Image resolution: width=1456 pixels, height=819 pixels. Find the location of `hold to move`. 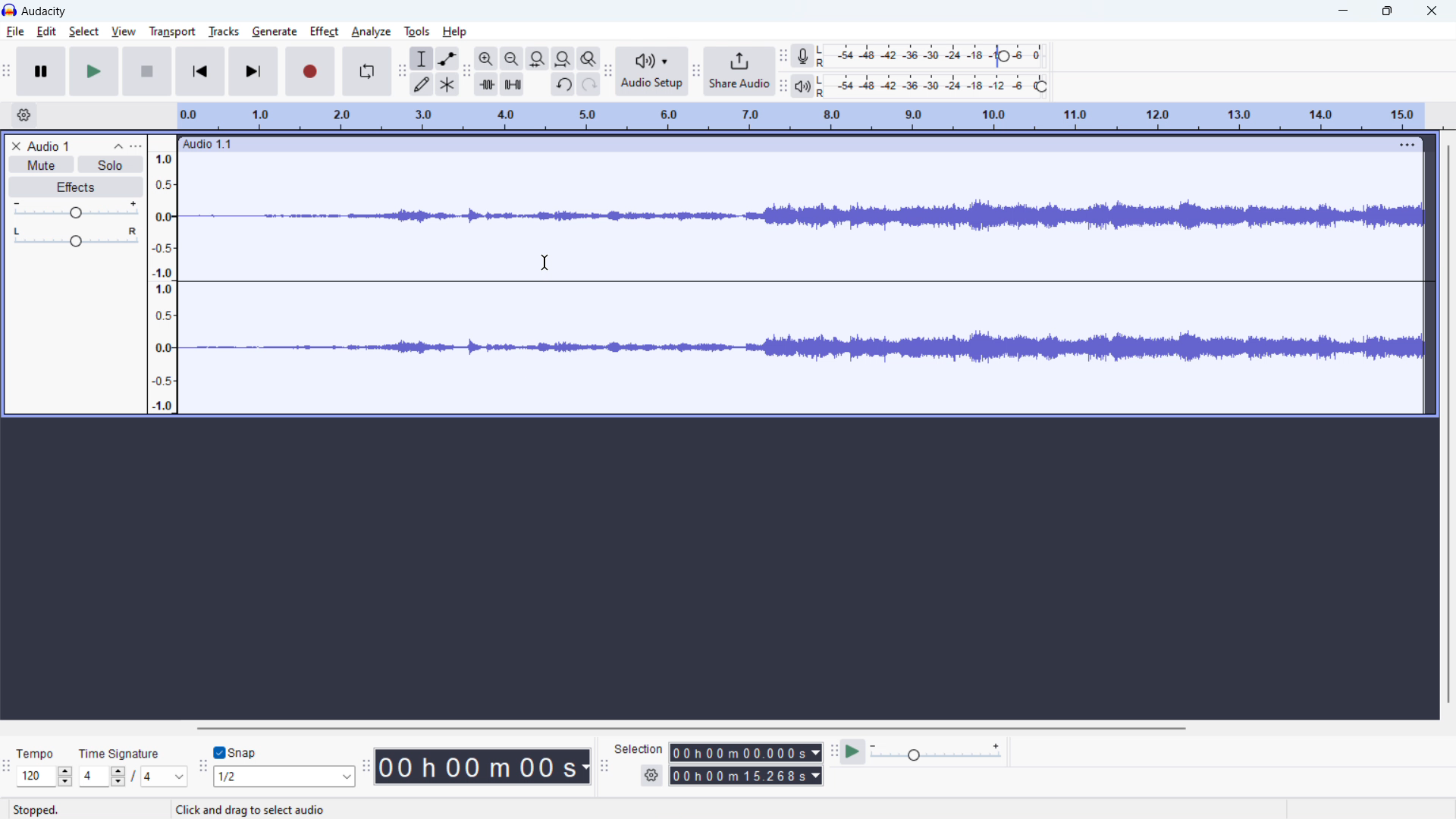

hold to move is located at coordinates (784, 143).